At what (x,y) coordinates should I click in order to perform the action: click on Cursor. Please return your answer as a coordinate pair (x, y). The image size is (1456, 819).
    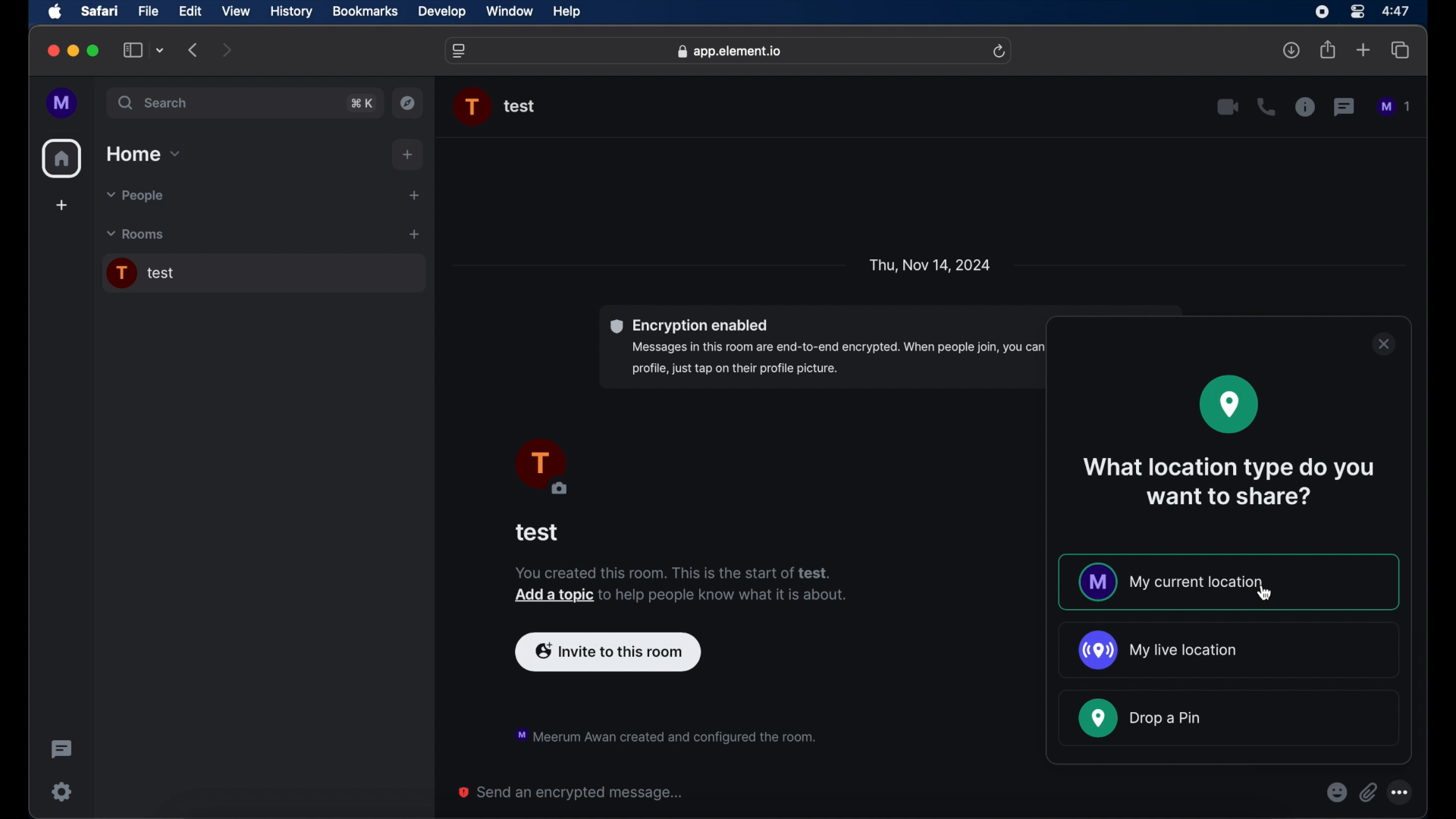
    Looking at the image, I should click on (1262, 596).